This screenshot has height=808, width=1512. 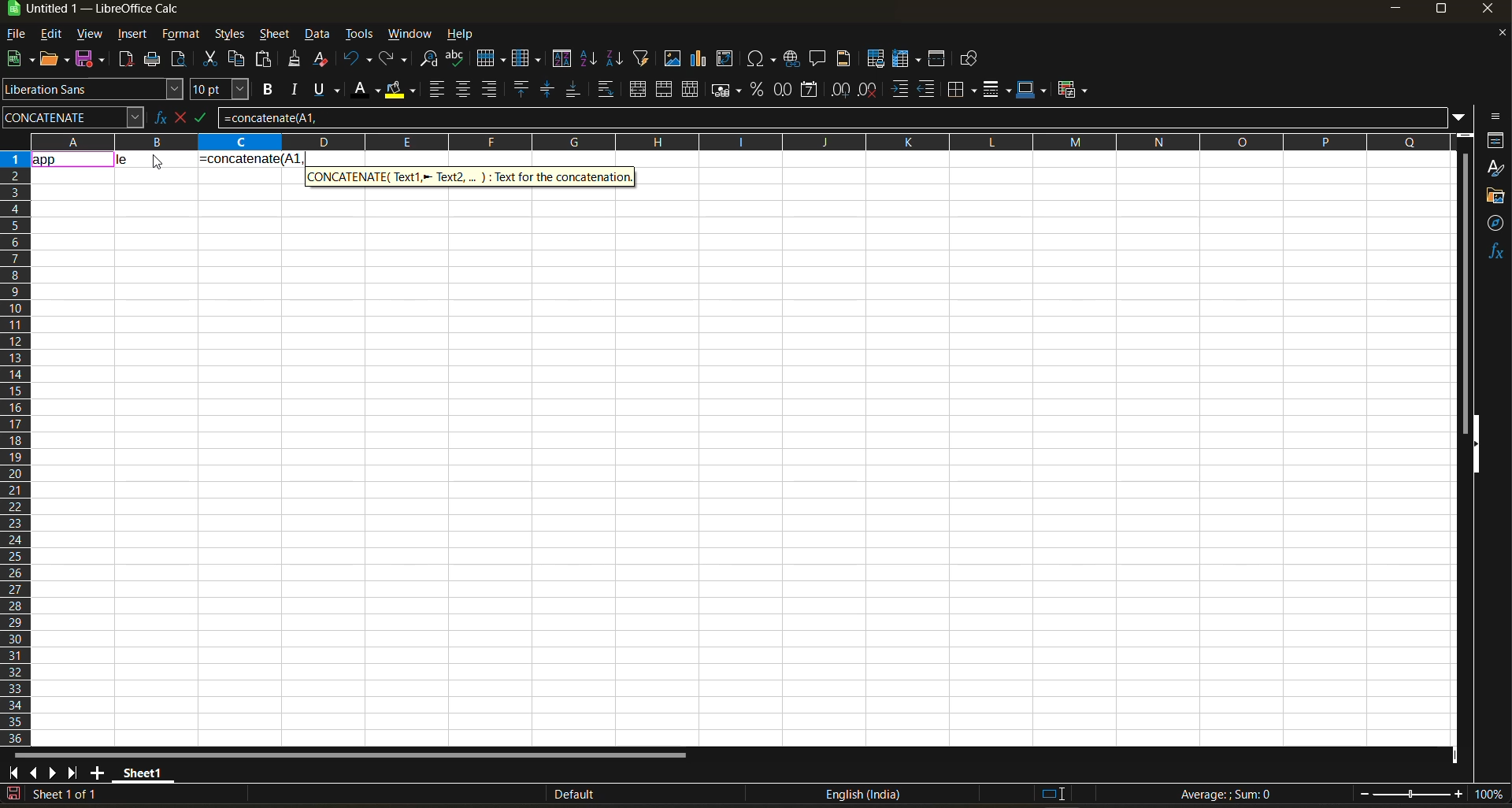 What do you see at coordinates (731, 90) in the screenshot?
I see `format as currency` at bounding box center [731, 90].